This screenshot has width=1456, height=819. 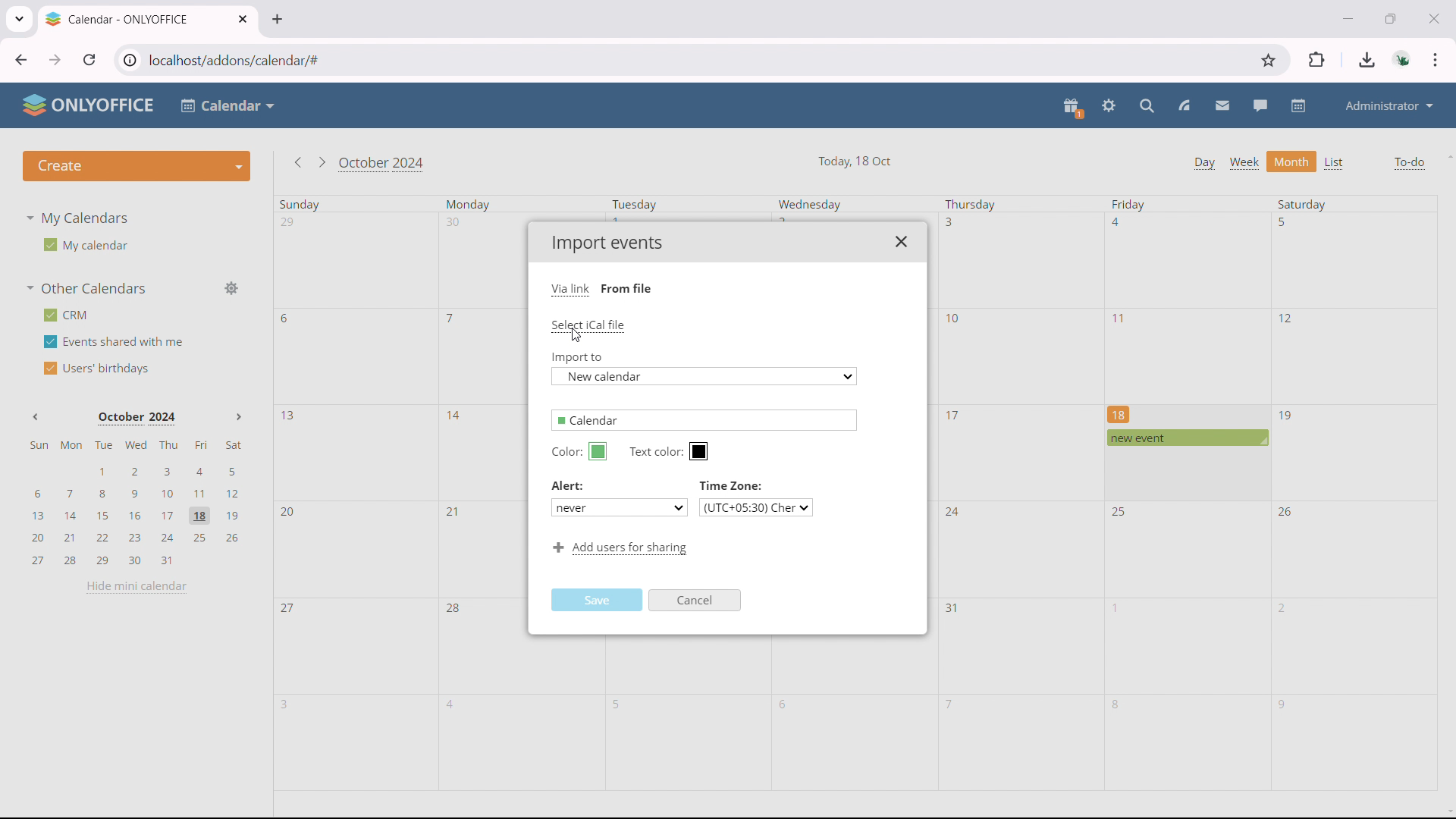 What do you see at coordinates (949, 221) in the screenshot?
I see `3` at bounding box center [949, 221].